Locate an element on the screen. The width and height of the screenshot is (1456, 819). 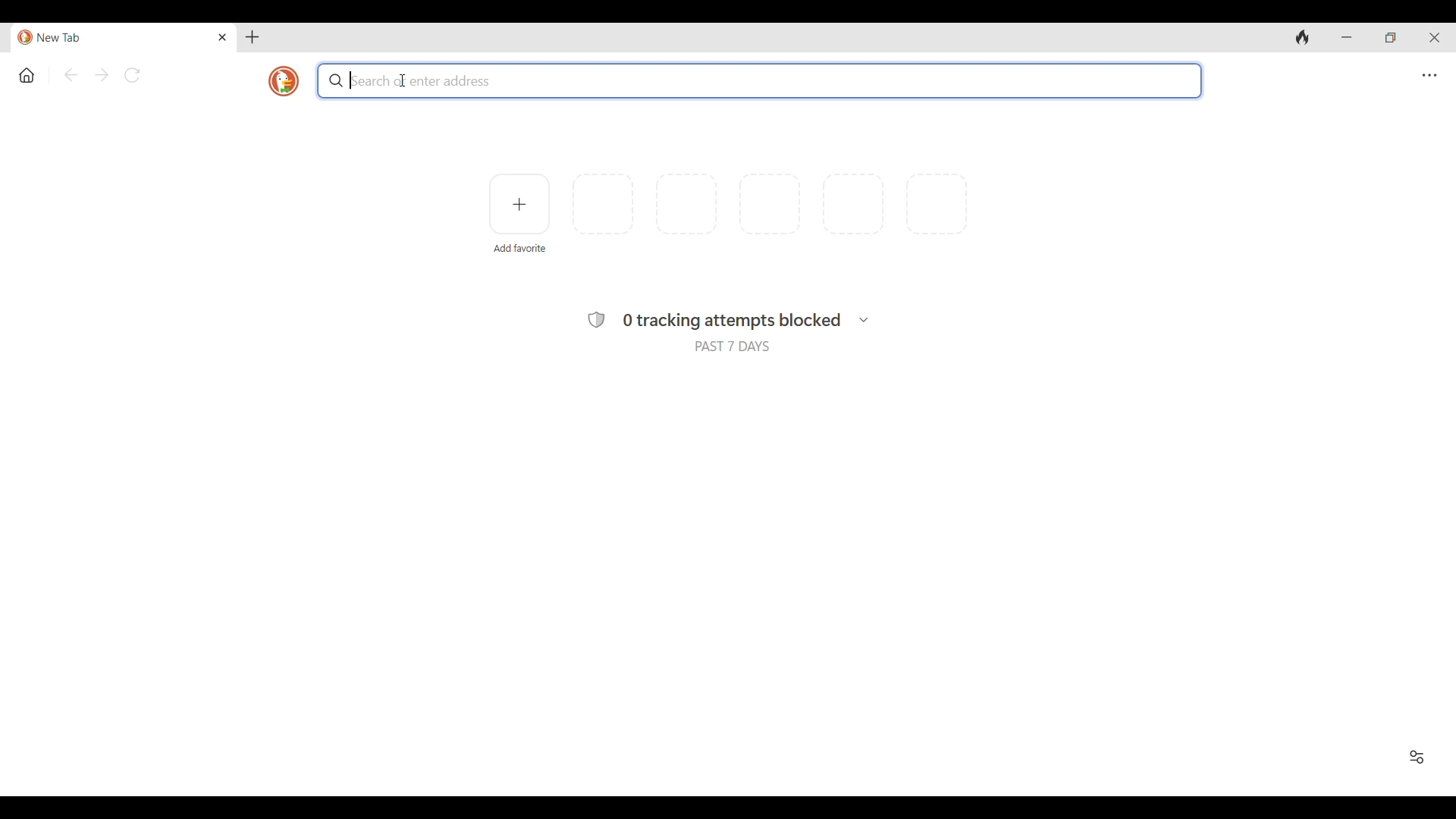
Show interface in a smaller tab is located at coordinates (1391, 38).